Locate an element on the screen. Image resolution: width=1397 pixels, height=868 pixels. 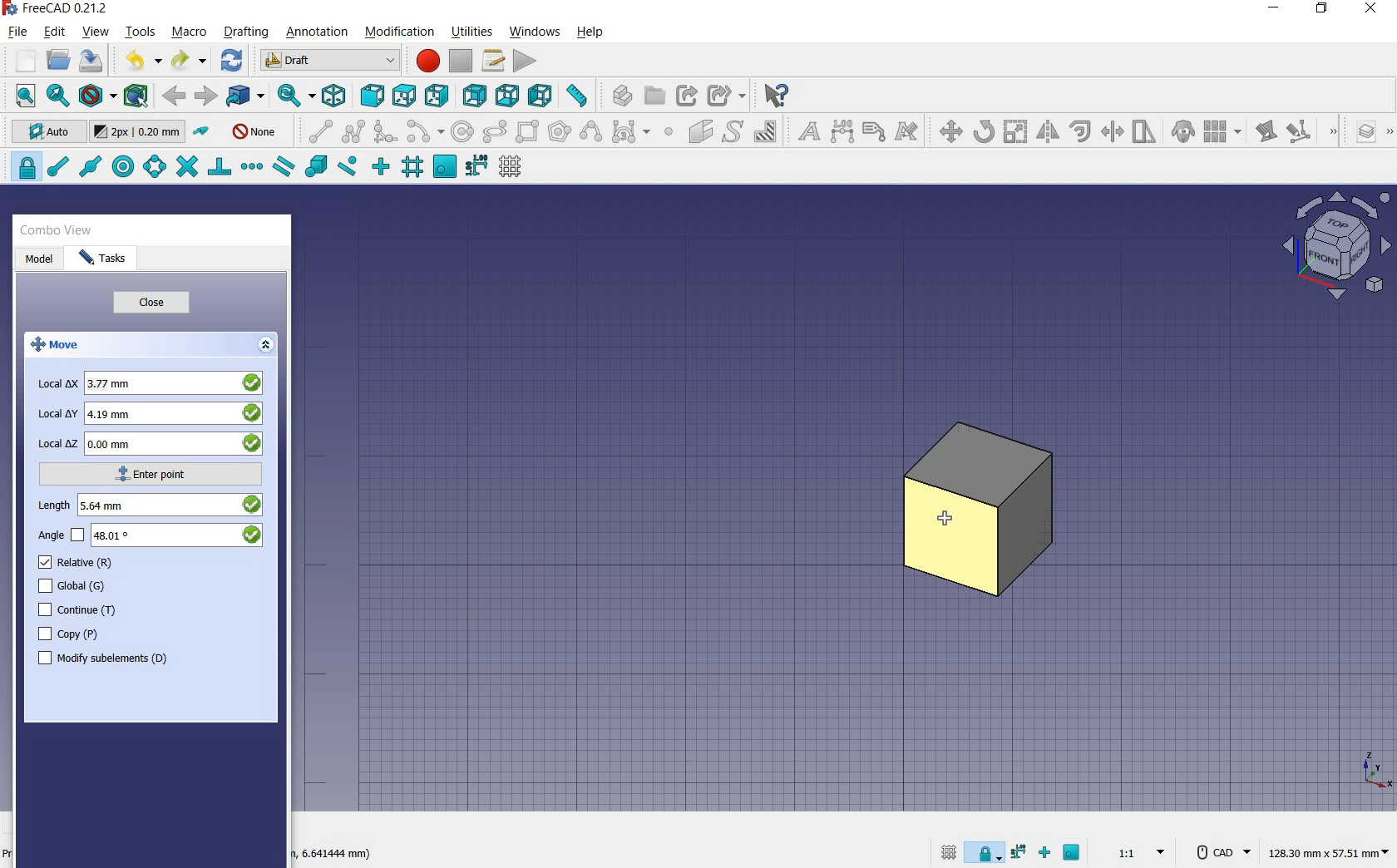
snap endpoint is located at coordinates (59, 167).